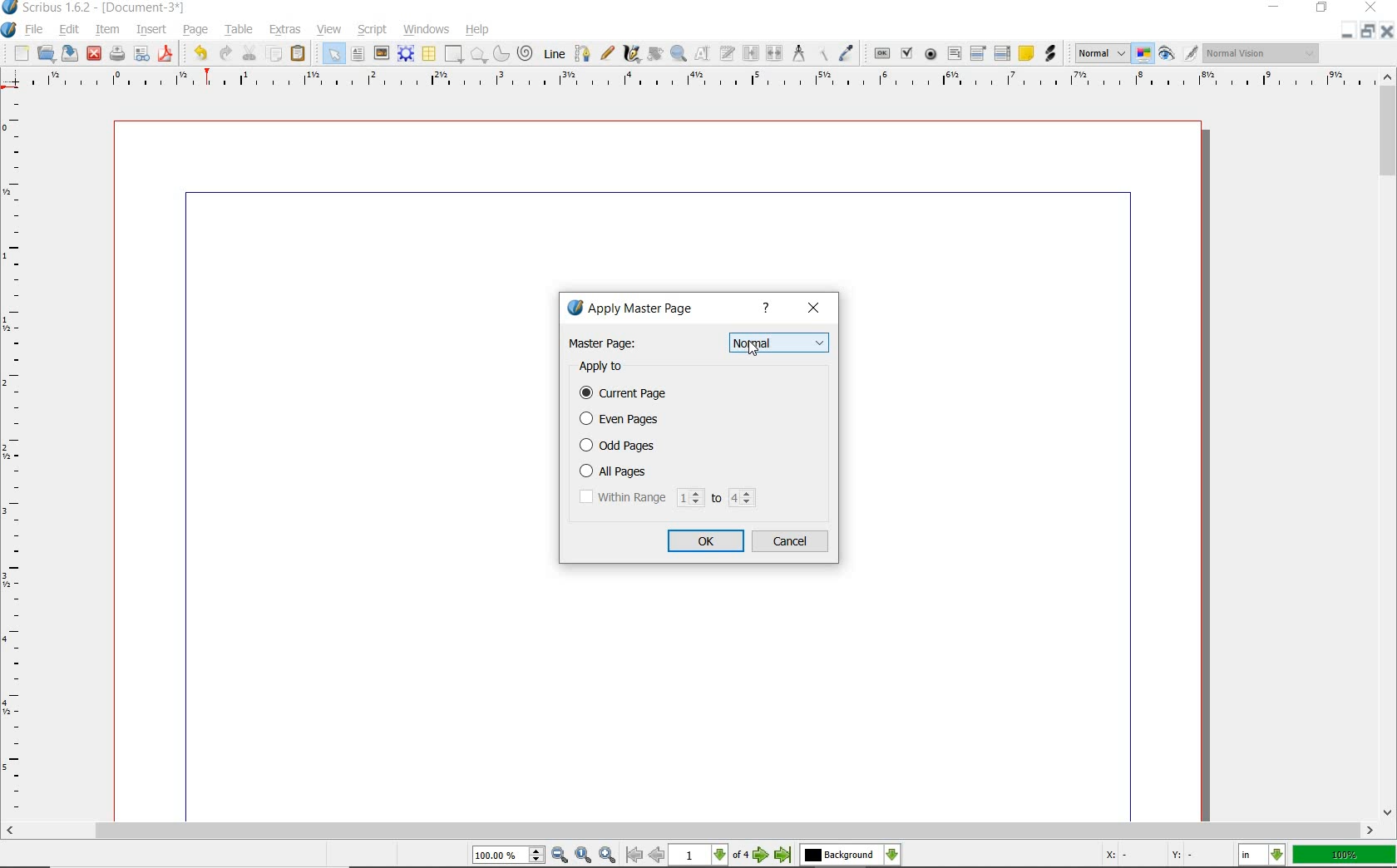 Image resolution: width=1397 pixels, height=868 pixels. Describe the element at coordinates (274, 53) in the screenshot. I see `copy` at that location.